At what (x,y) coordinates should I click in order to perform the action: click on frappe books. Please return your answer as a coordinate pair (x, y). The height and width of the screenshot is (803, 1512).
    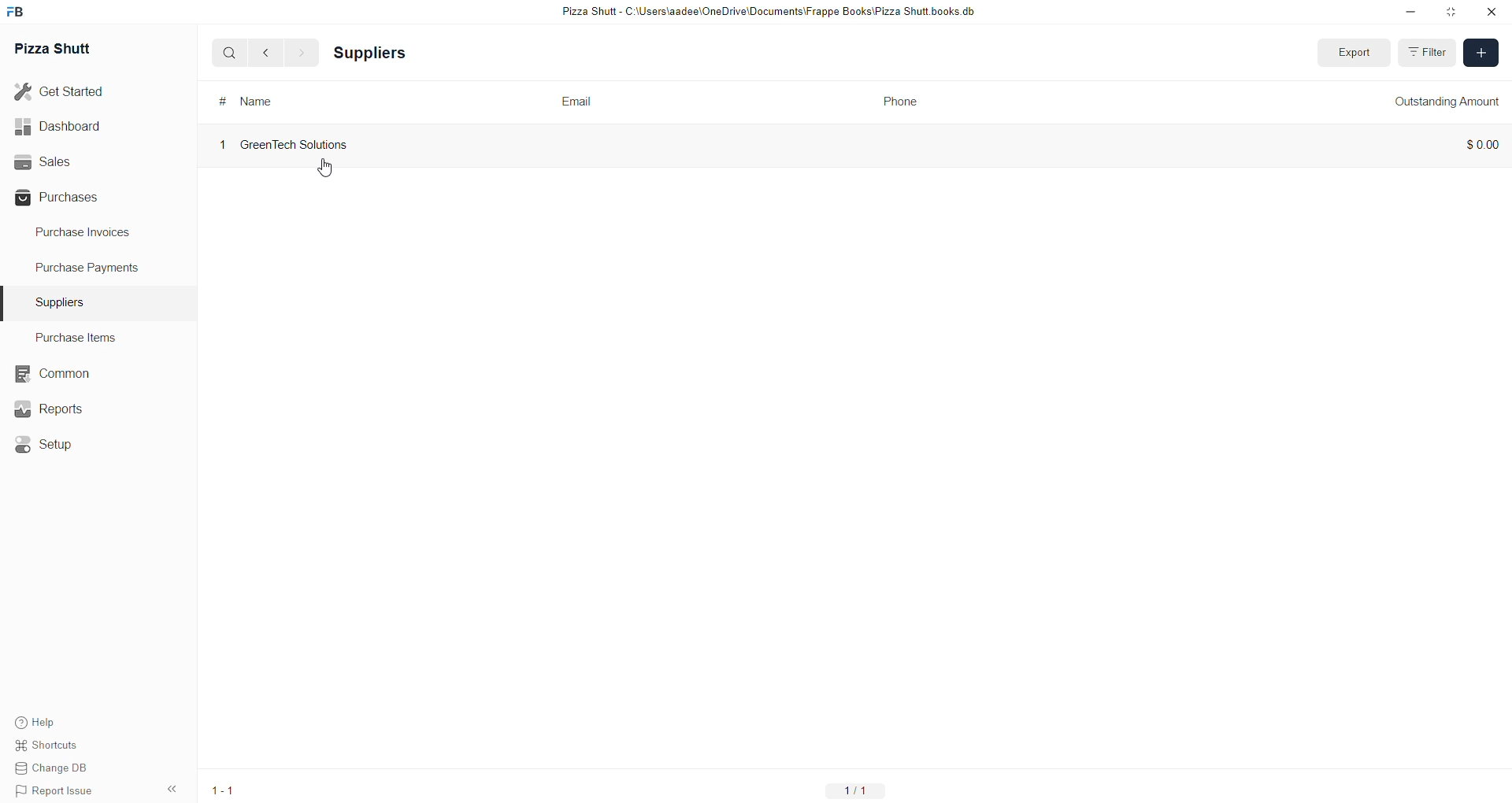
    Looking at the image, I should click on (20, 13).